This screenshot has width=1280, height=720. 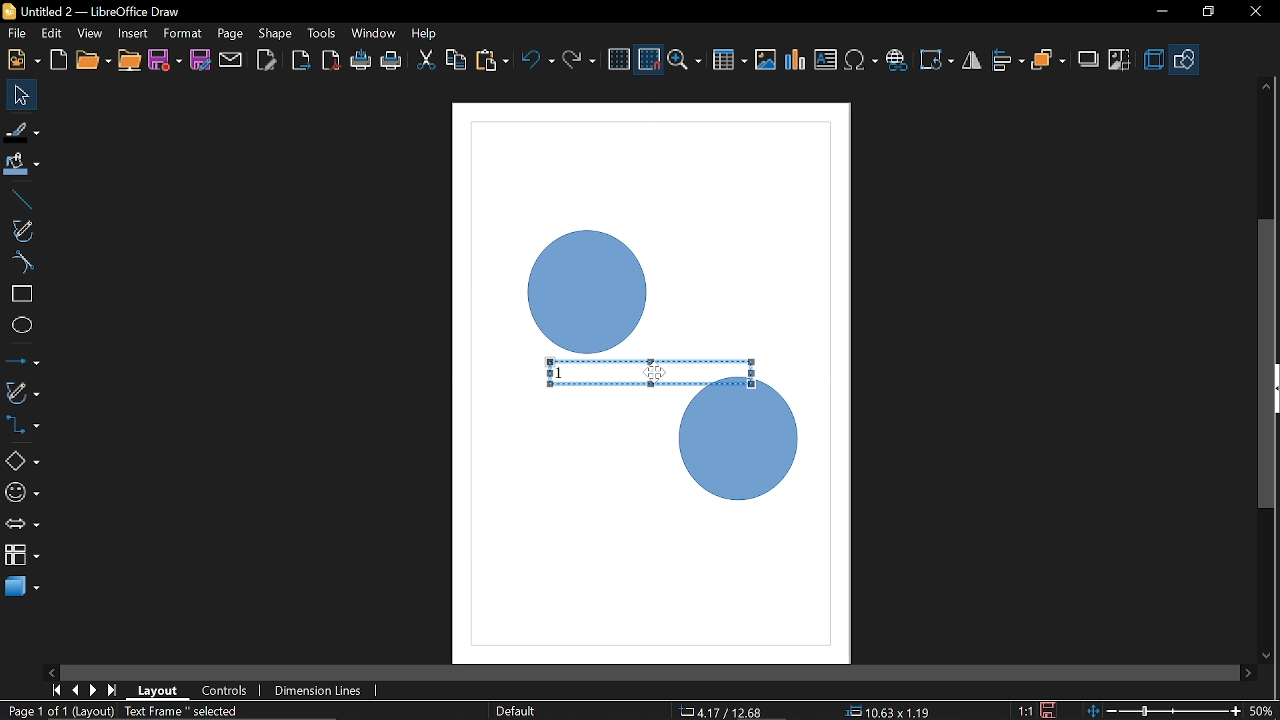 What do you see at coordinates (1159, 13) in the screenshot?
I see `Minimize` at bounding box center [1159, 13].